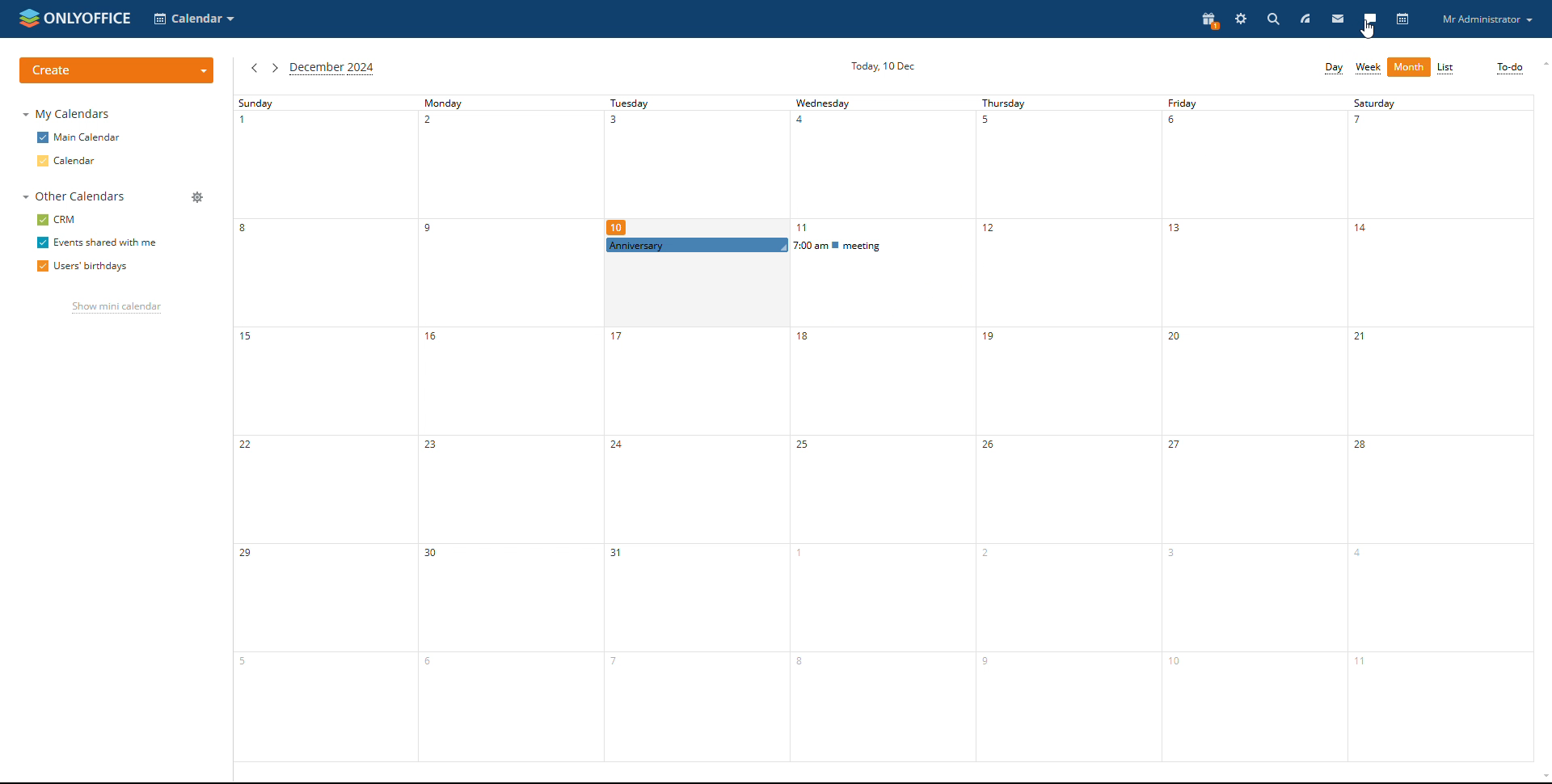 The image size is (1552, 784). What do you see at coordinates (199, 196) in the screenshot?
I see `manage` at bounding box center [199, 196].